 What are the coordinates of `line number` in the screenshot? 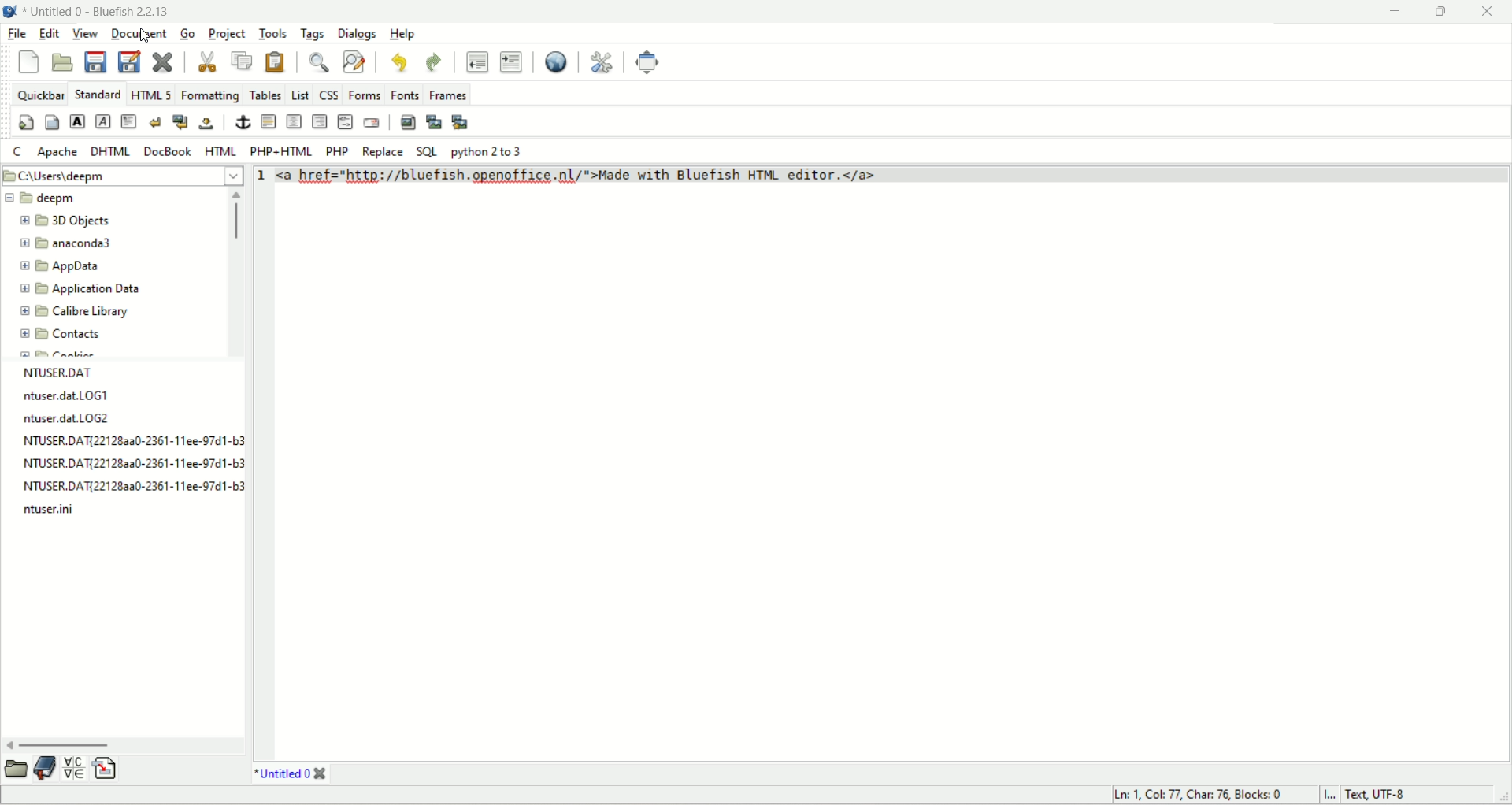 It's located at (265, 176).